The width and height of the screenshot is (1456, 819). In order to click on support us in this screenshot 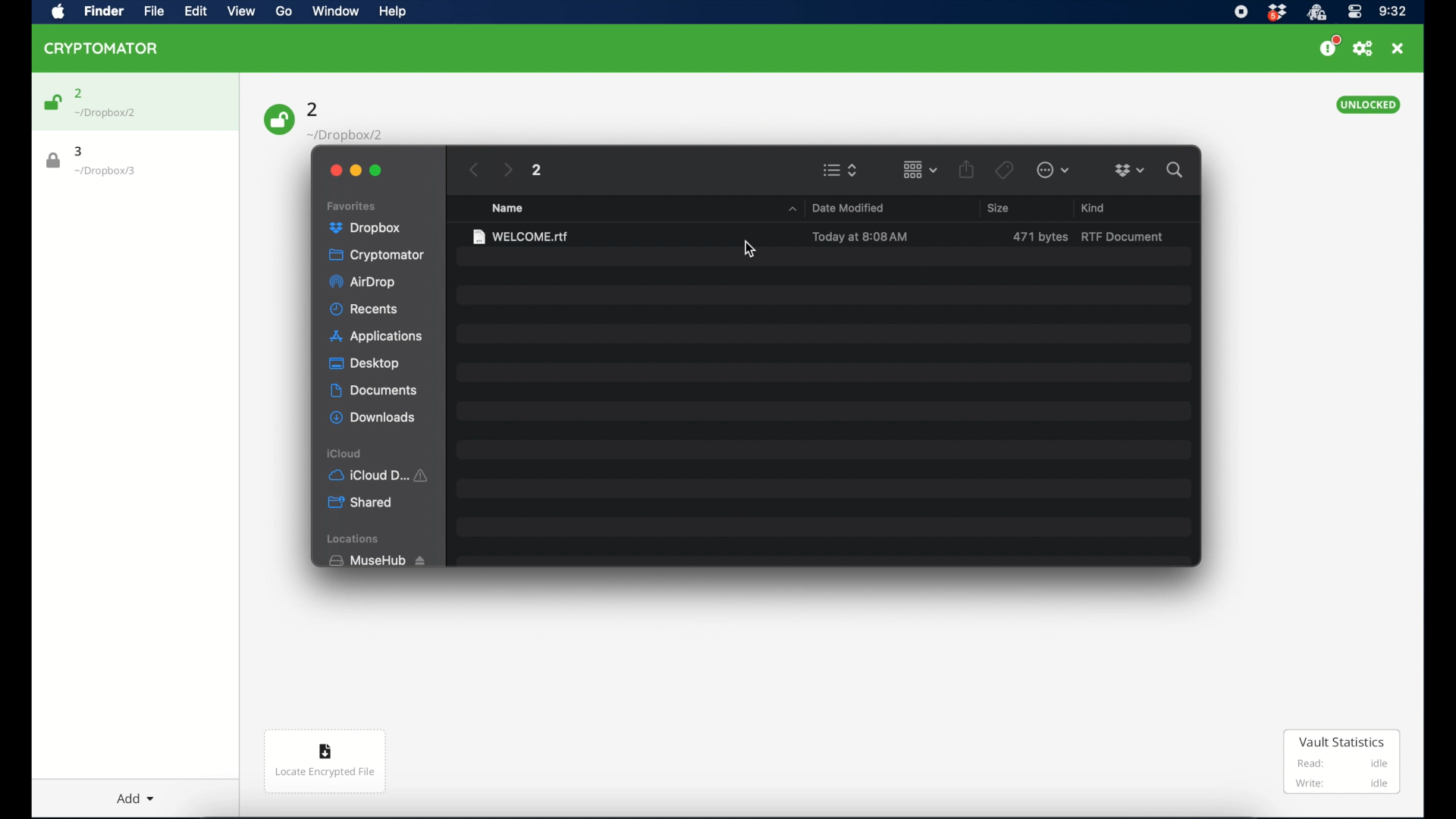, I will do `click(1330, 47)`.